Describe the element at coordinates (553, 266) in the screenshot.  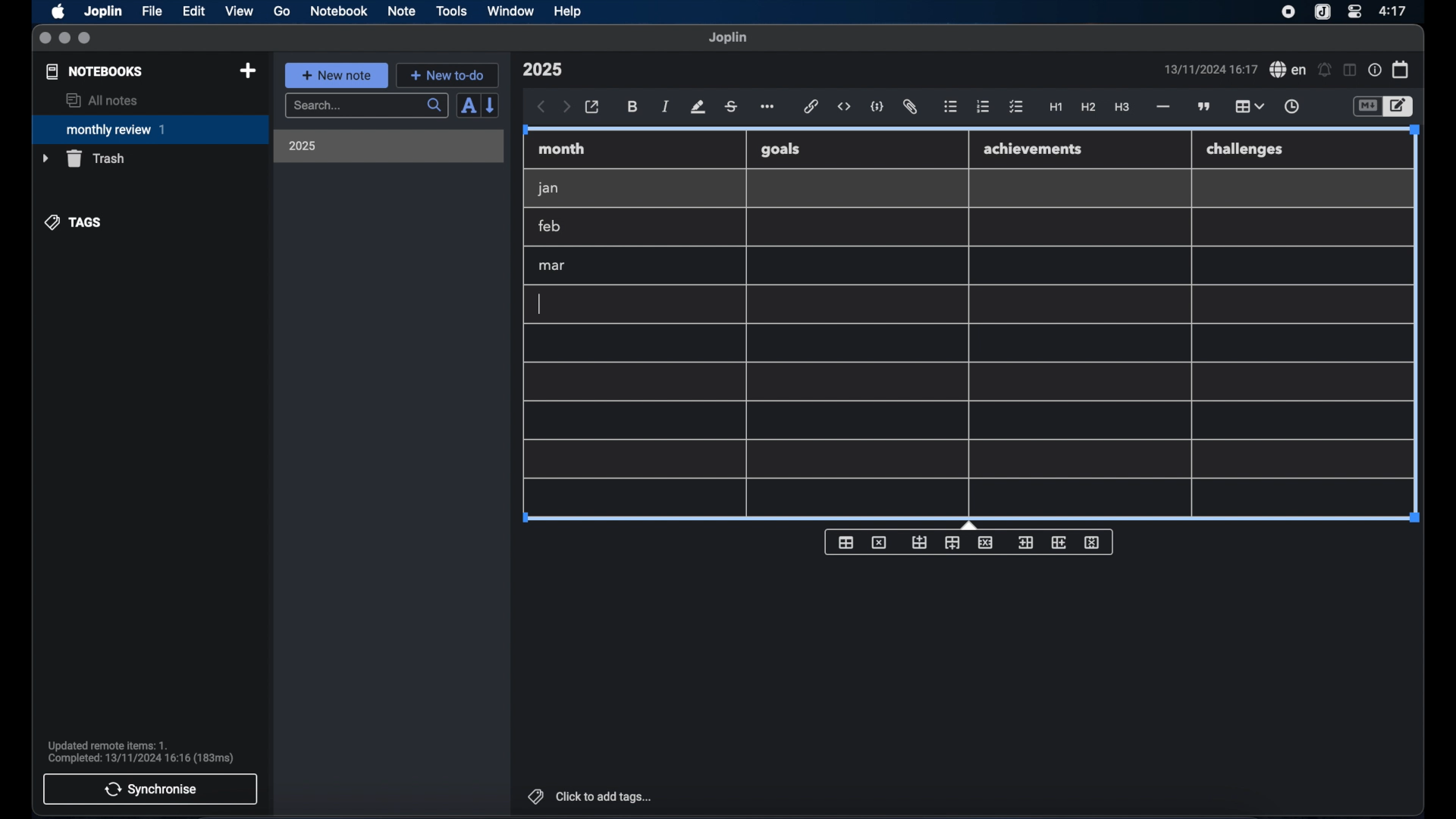
I see `mar` at that location.